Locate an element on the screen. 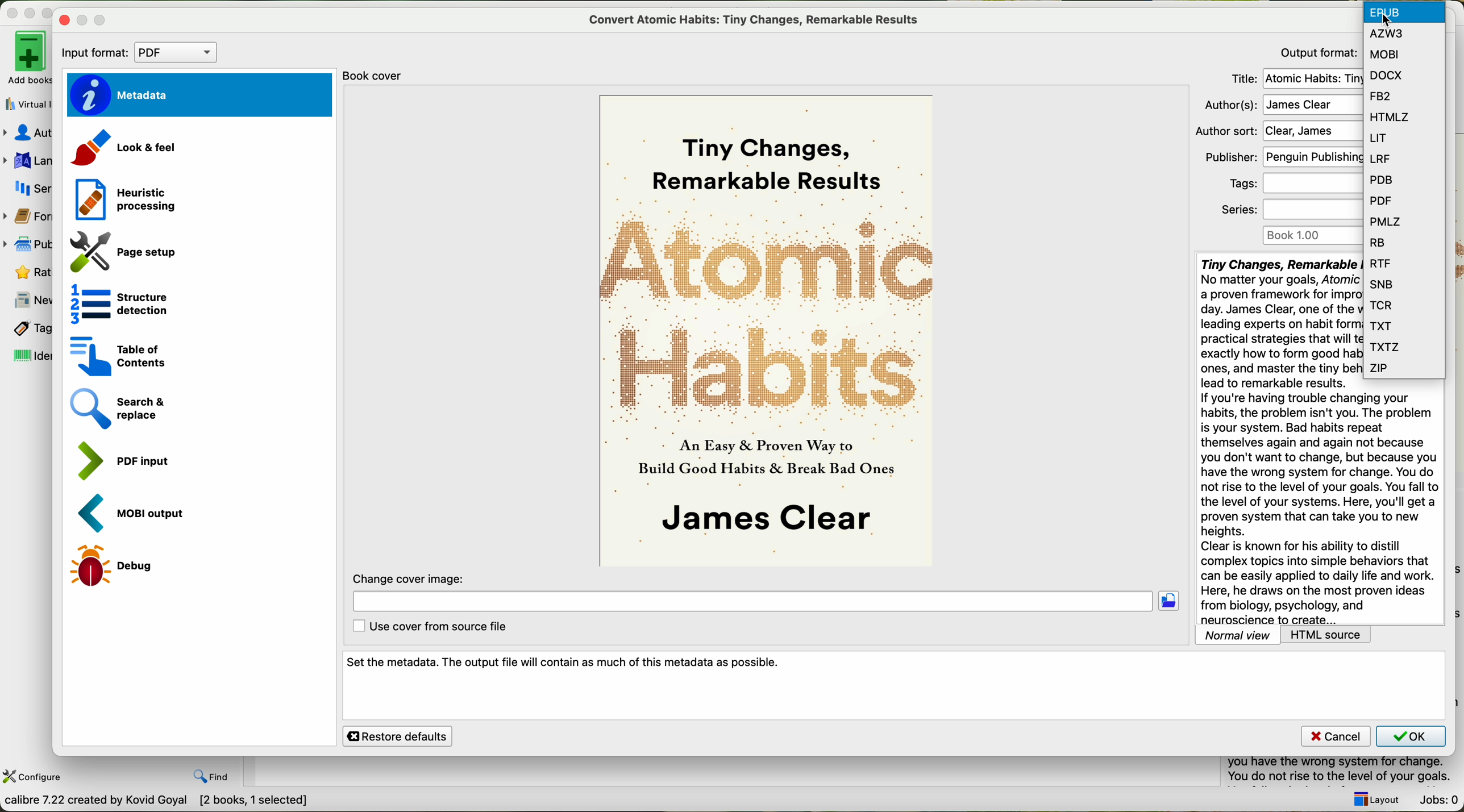 This screenshot has height=812, width=1464. structure detection is located at coordinates (113, 302).